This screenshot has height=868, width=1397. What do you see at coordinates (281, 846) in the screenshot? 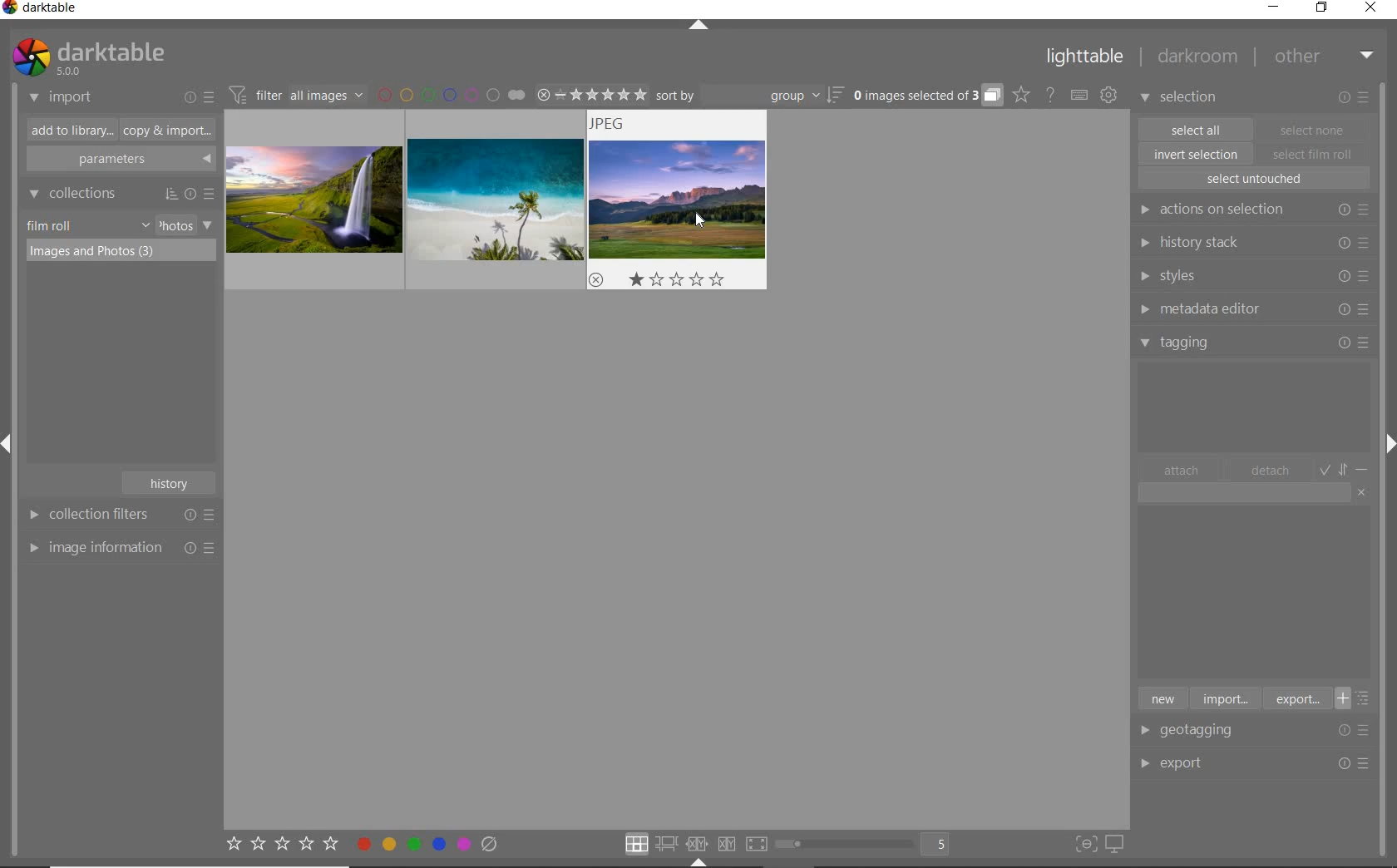
I see `set star rating for selected images` at bounding box center [281, 846].